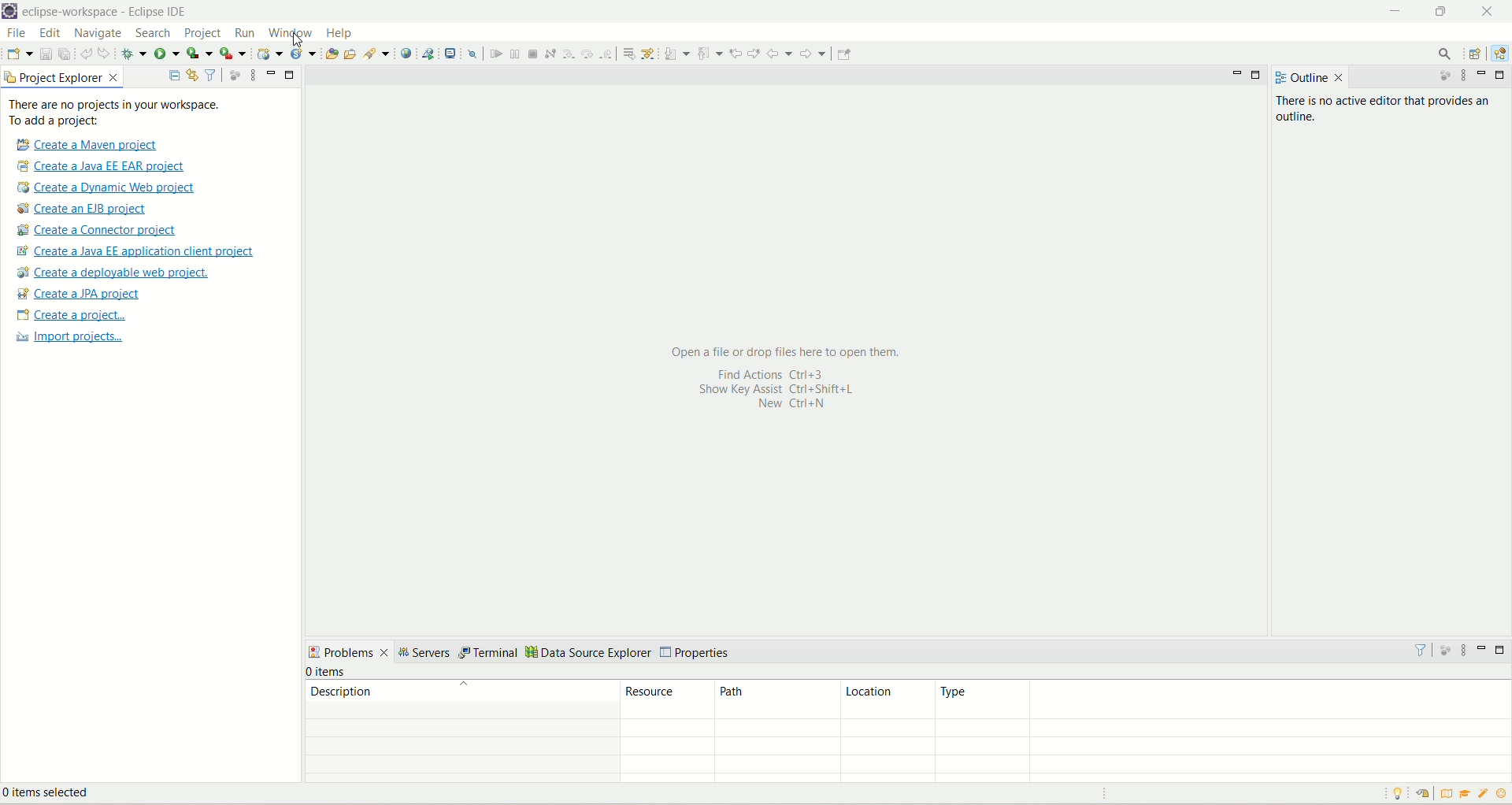  Describe the element at coordinates (697, 653) in the screenshot. I see `properties` at that location.